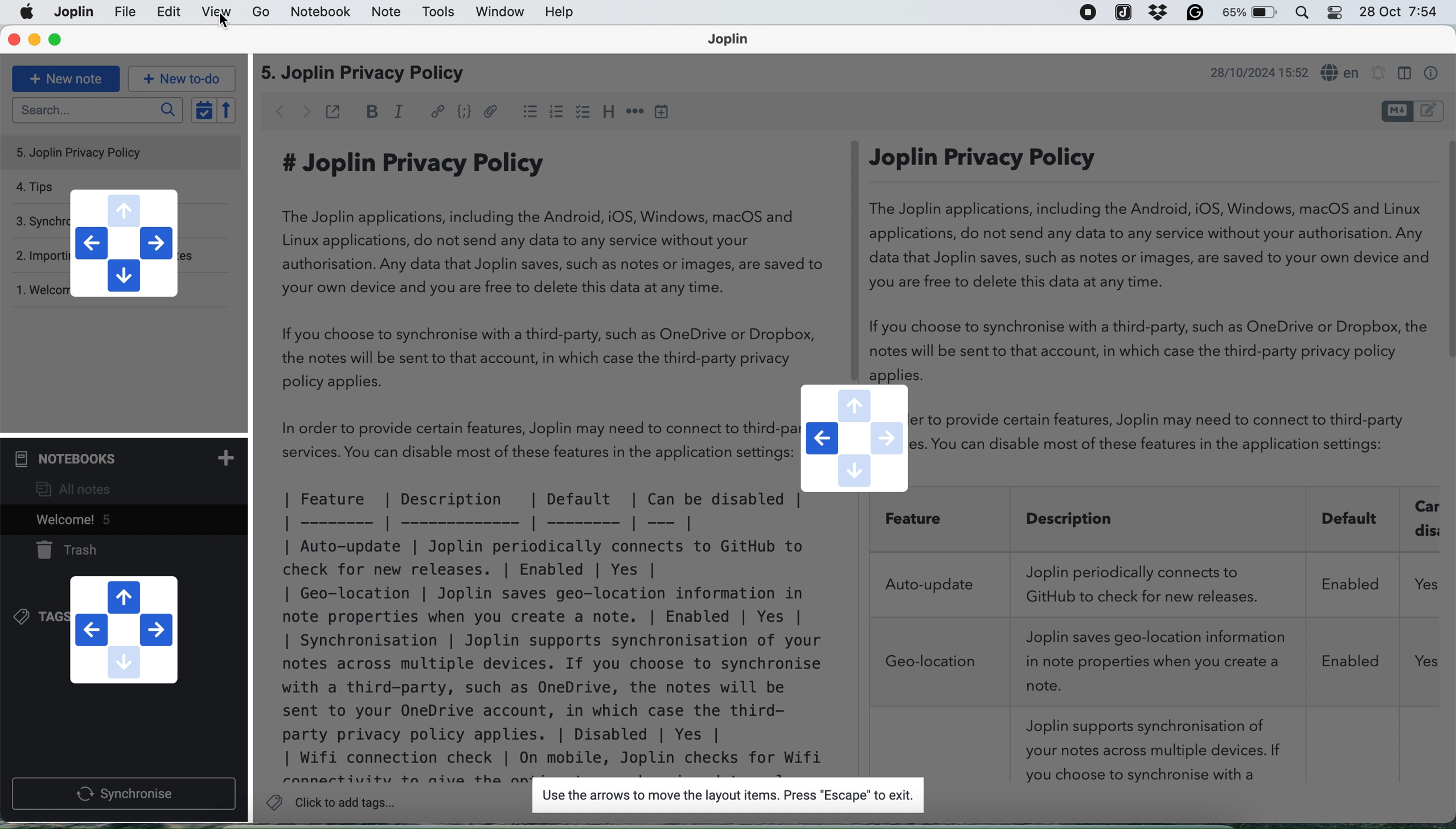  I want to click on notebook, so click(323, 13).